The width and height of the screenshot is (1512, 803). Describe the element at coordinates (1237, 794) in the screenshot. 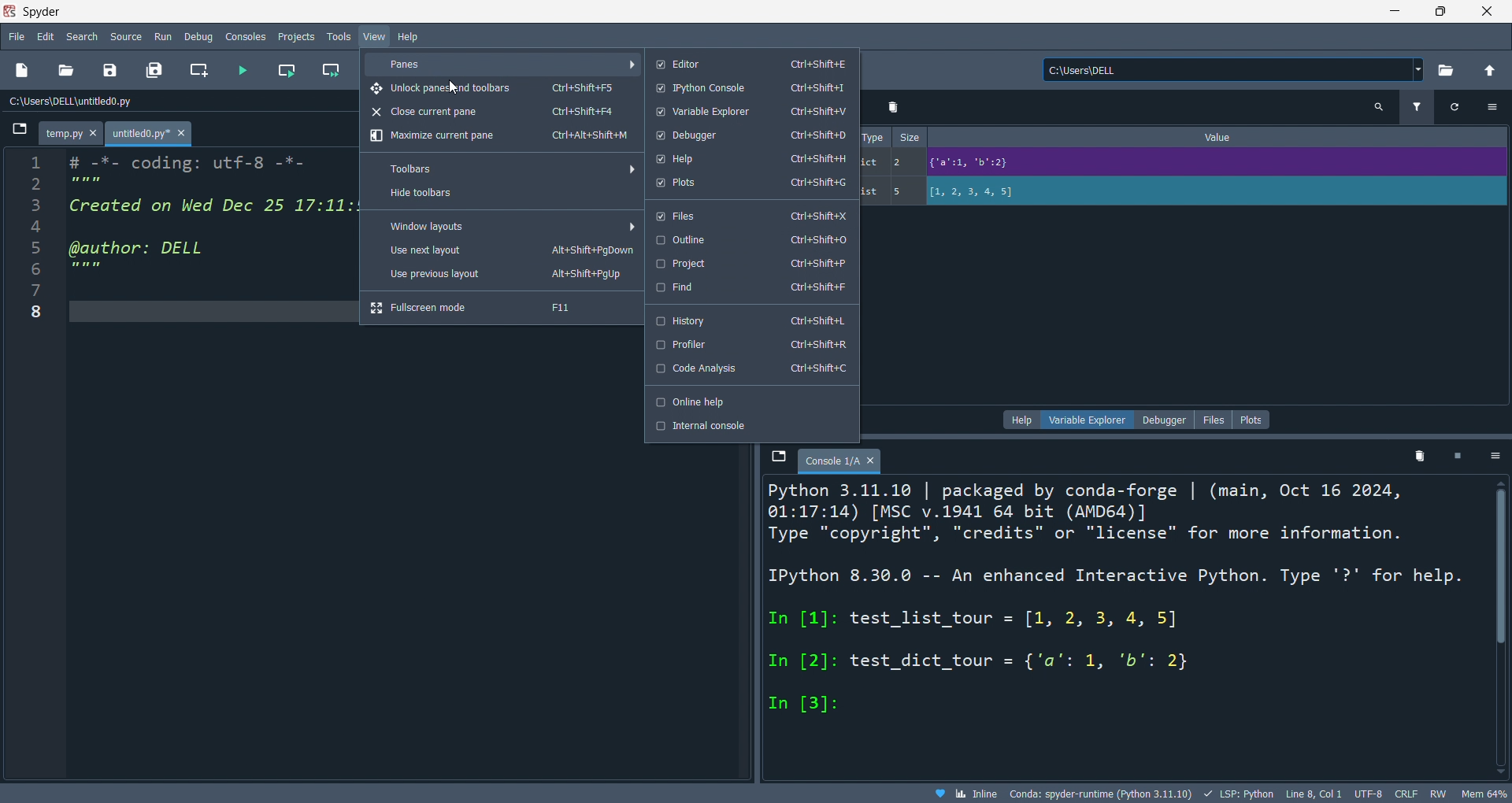

I see `language` at that location.